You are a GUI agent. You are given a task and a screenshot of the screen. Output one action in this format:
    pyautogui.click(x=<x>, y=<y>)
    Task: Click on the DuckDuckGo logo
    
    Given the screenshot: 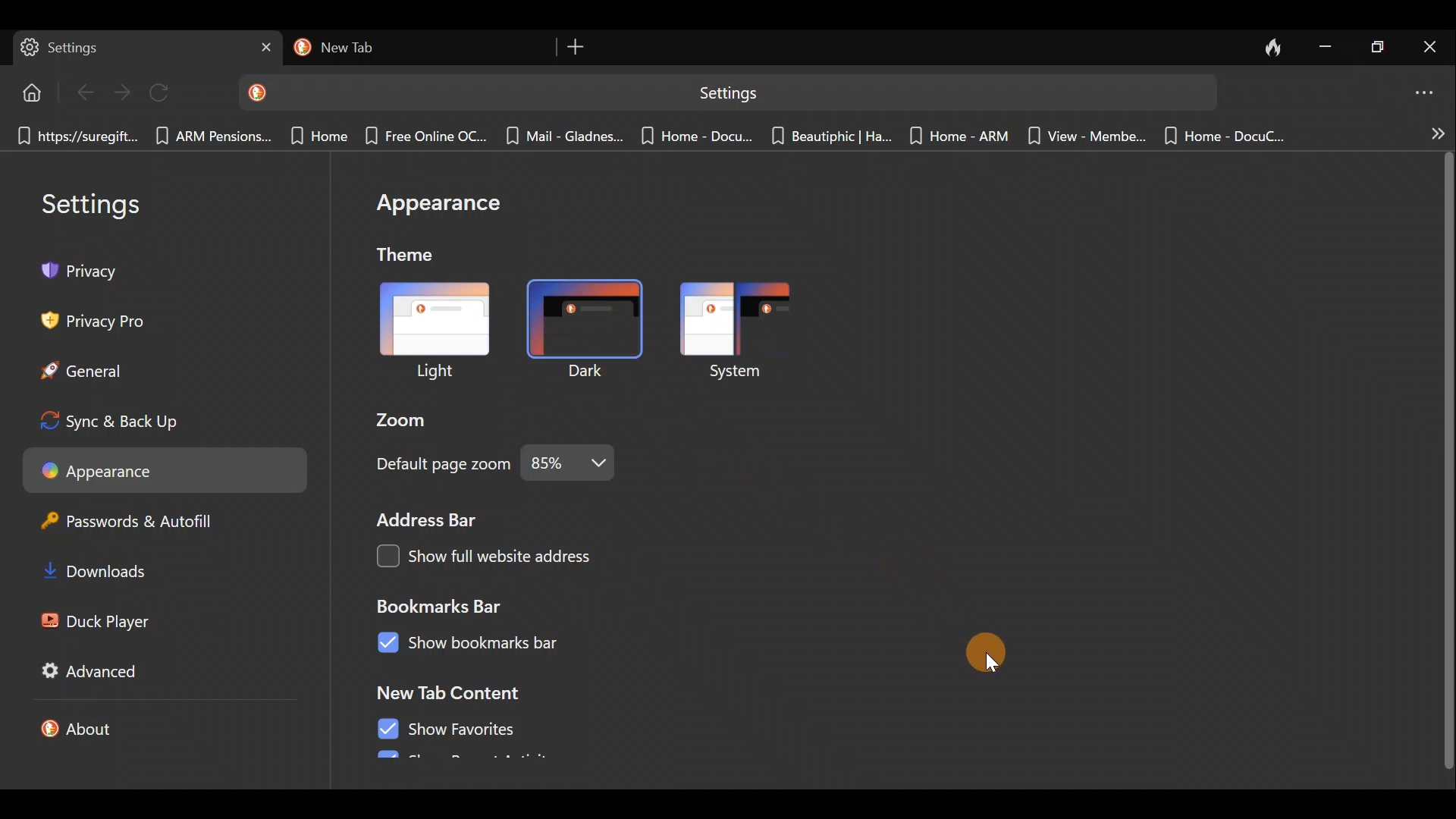 What is the action you would take?
    pyautogui.click(x=262, y=92)
    